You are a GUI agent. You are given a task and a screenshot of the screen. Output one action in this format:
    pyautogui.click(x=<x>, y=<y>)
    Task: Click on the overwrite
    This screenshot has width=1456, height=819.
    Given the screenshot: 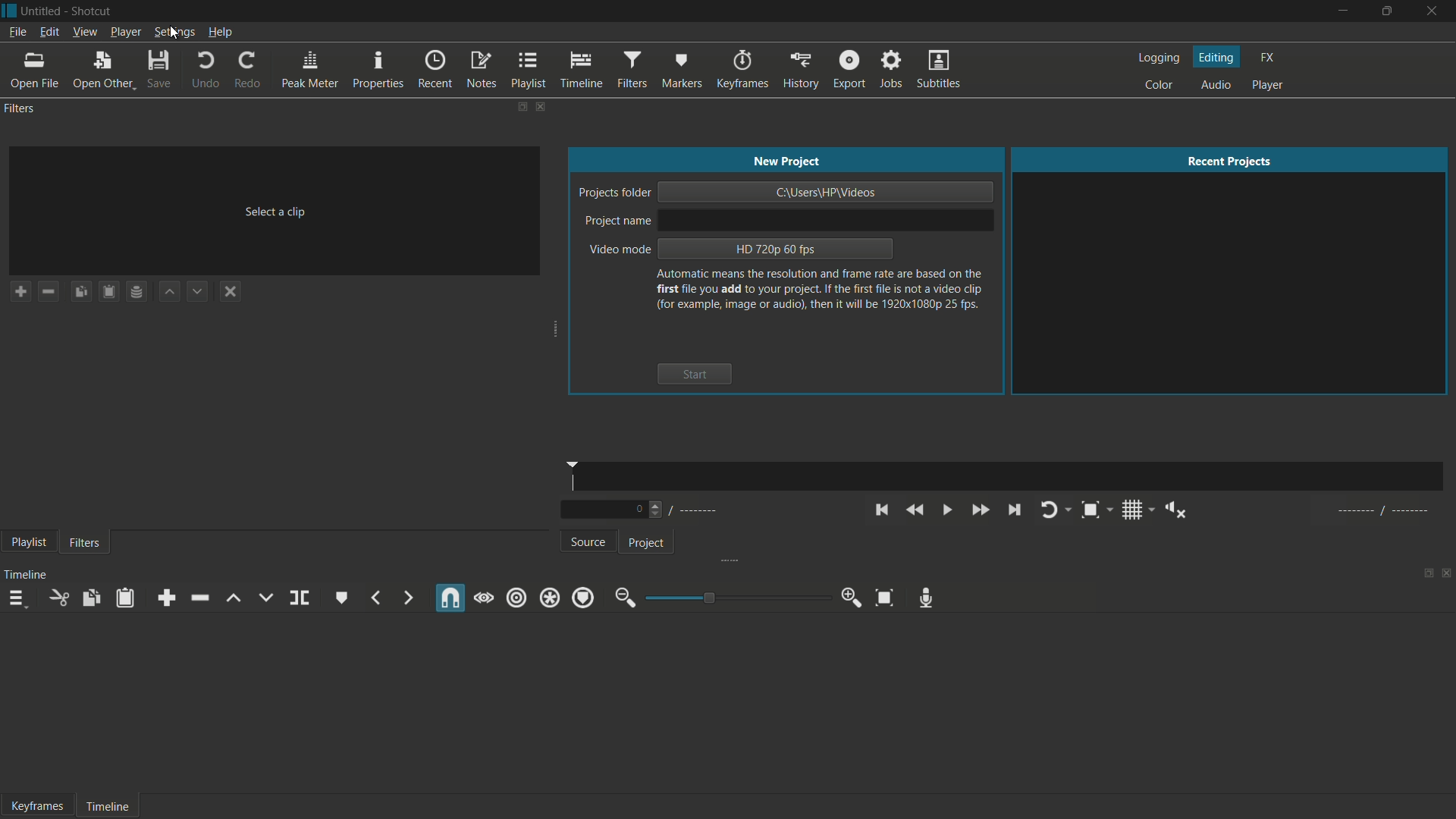 What is the action you would take?
    pyautogui.click(x=265, y=598)
    